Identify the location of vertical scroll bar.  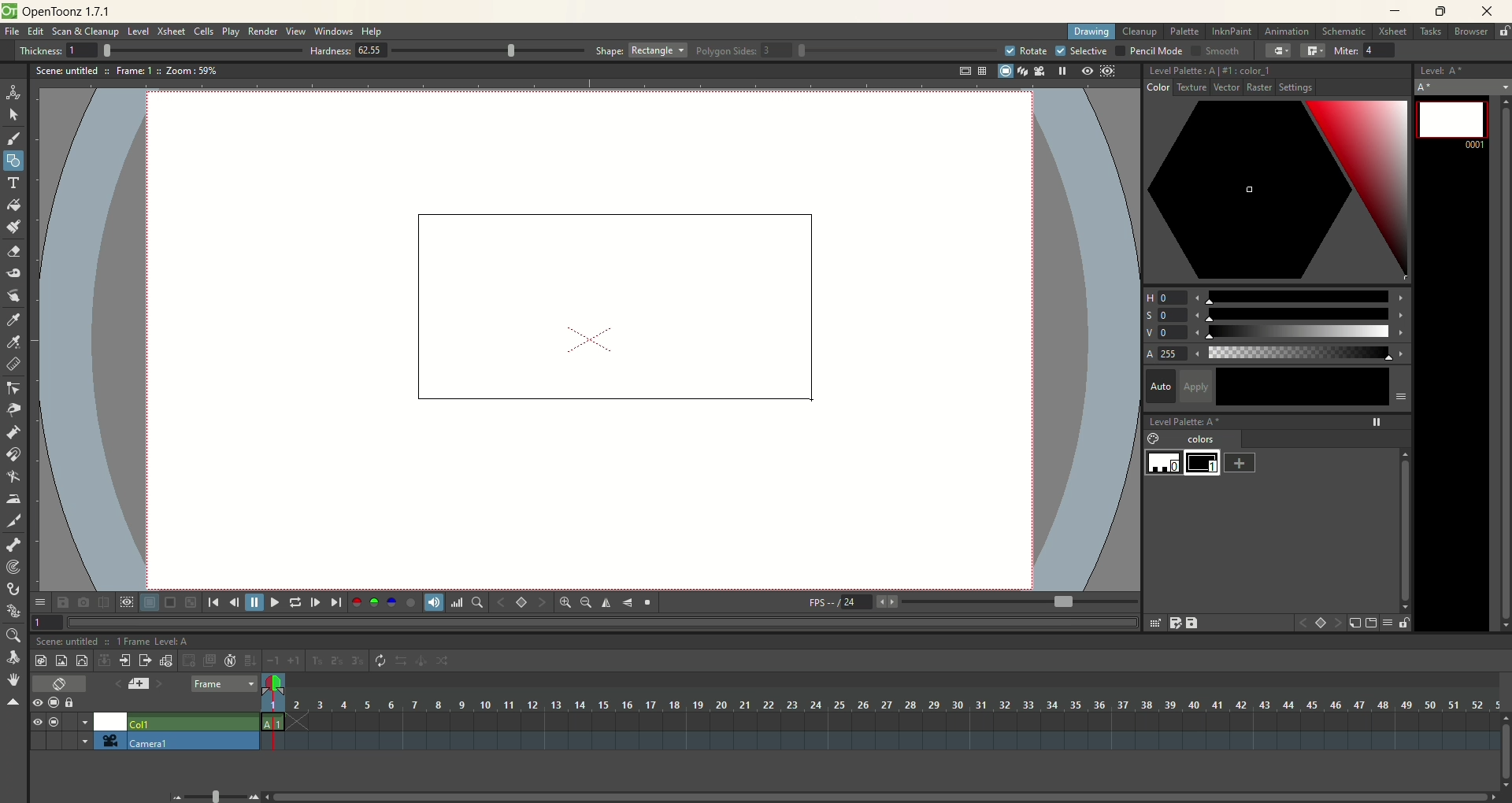
(1501, 361).